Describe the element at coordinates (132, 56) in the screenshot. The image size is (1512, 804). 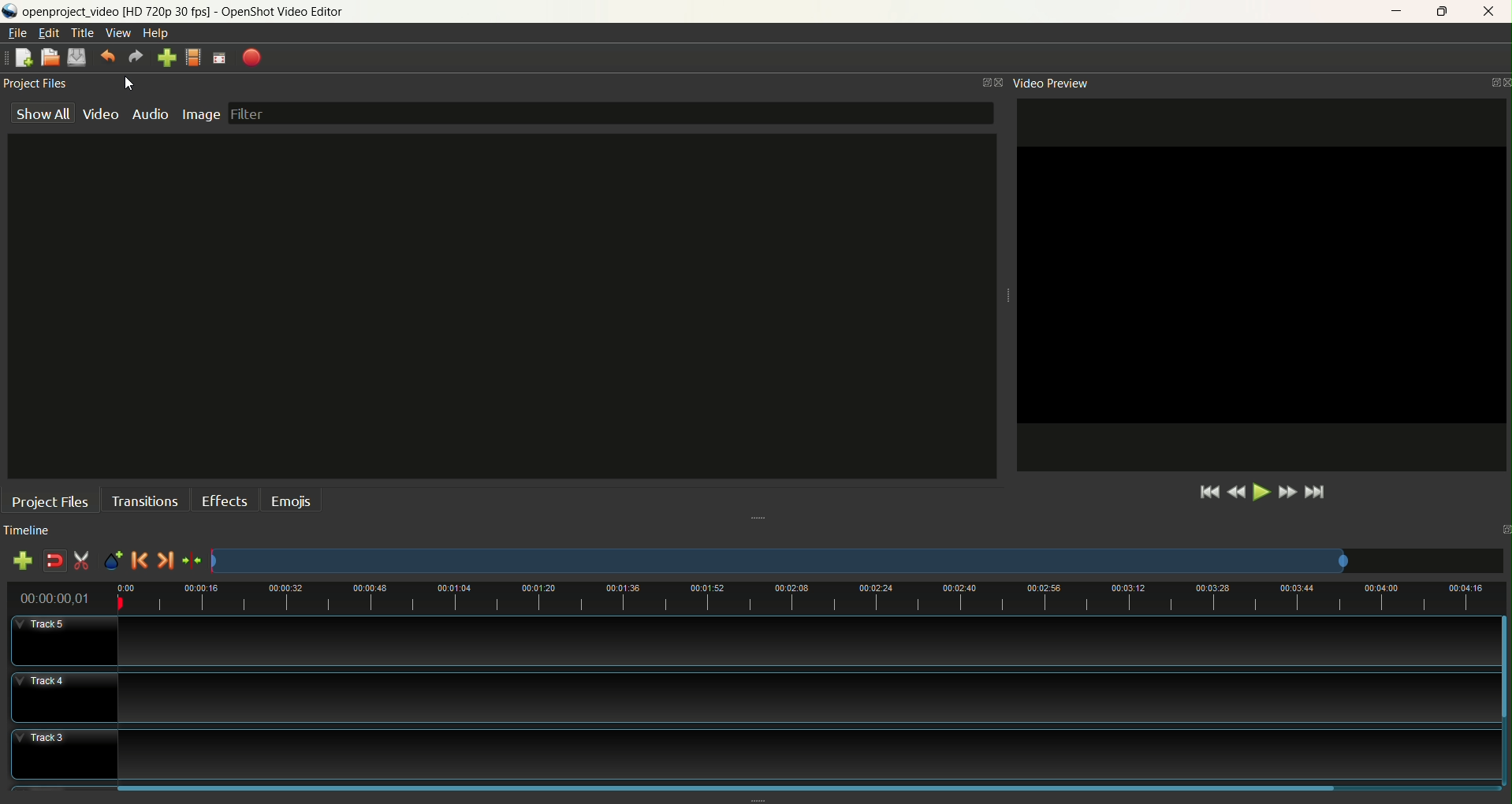
I see `redo` at that location.